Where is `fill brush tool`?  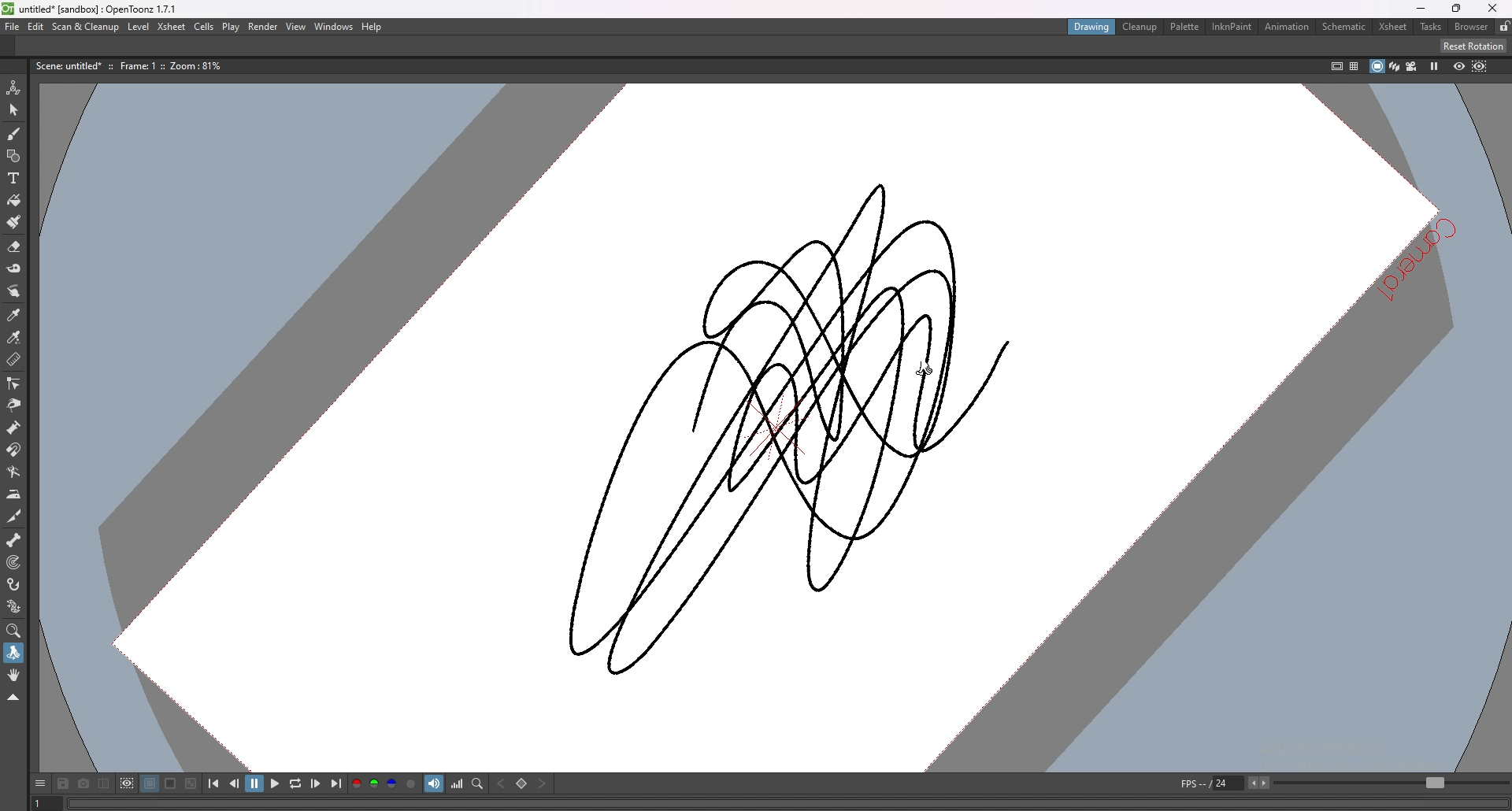 fill brush tool is located at coordinates (14, 221).